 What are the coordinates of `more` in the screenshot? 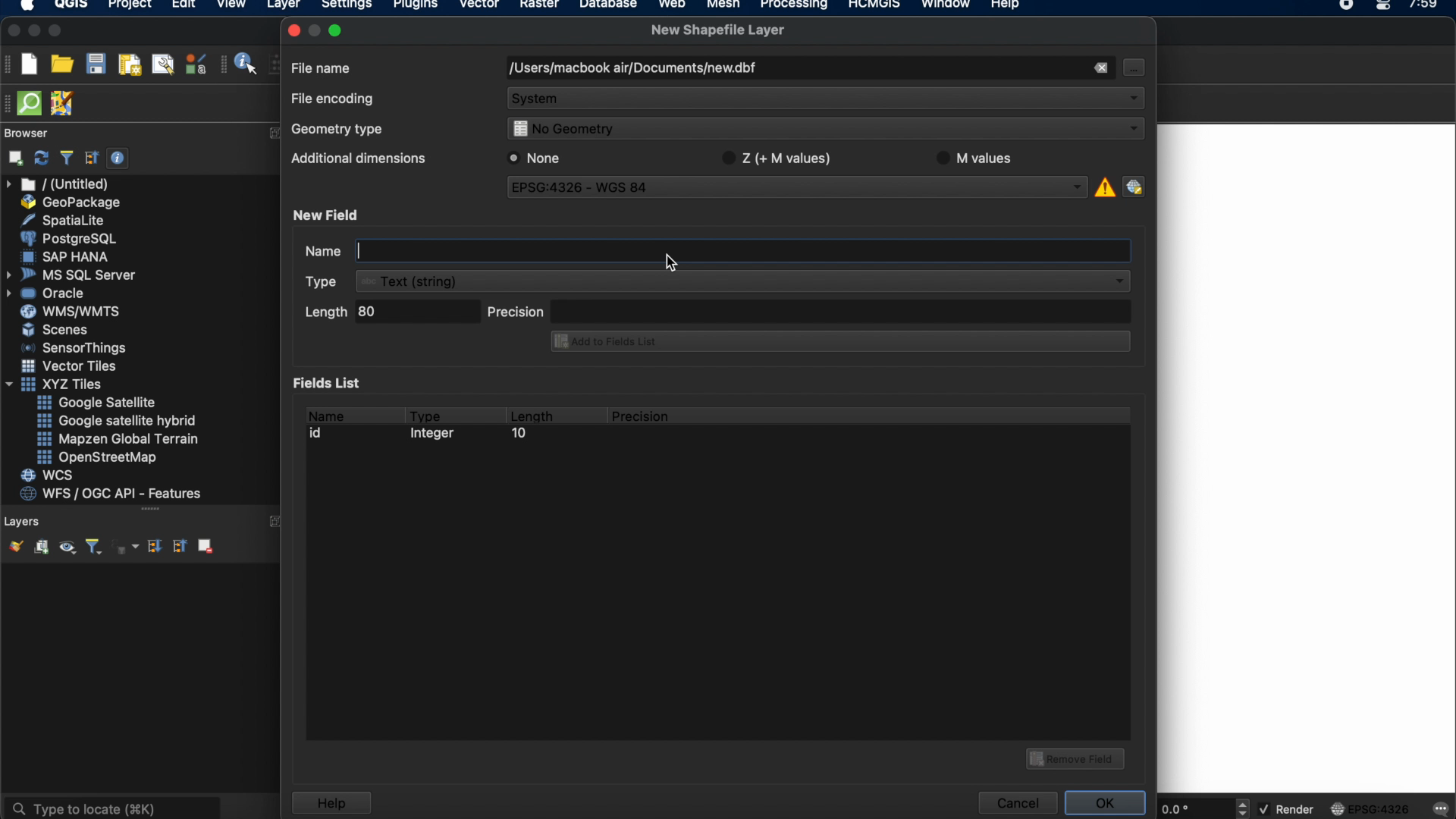 It's located at (150, 509).